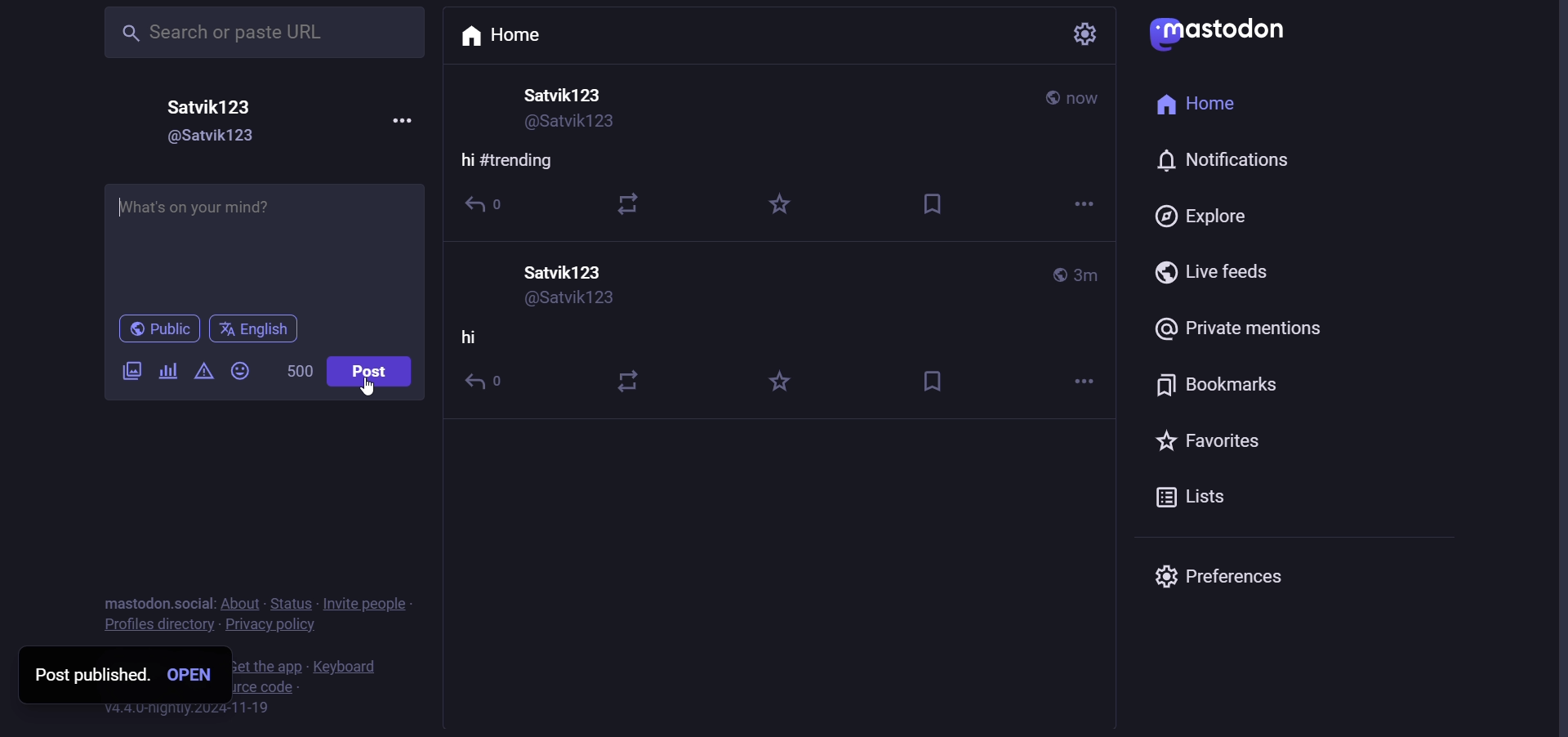 Image resolution: width=1568 pixels, height=737 pixels. Describe the element at coordinates (484, 204) in the screenshot. I see `reply` at that location.